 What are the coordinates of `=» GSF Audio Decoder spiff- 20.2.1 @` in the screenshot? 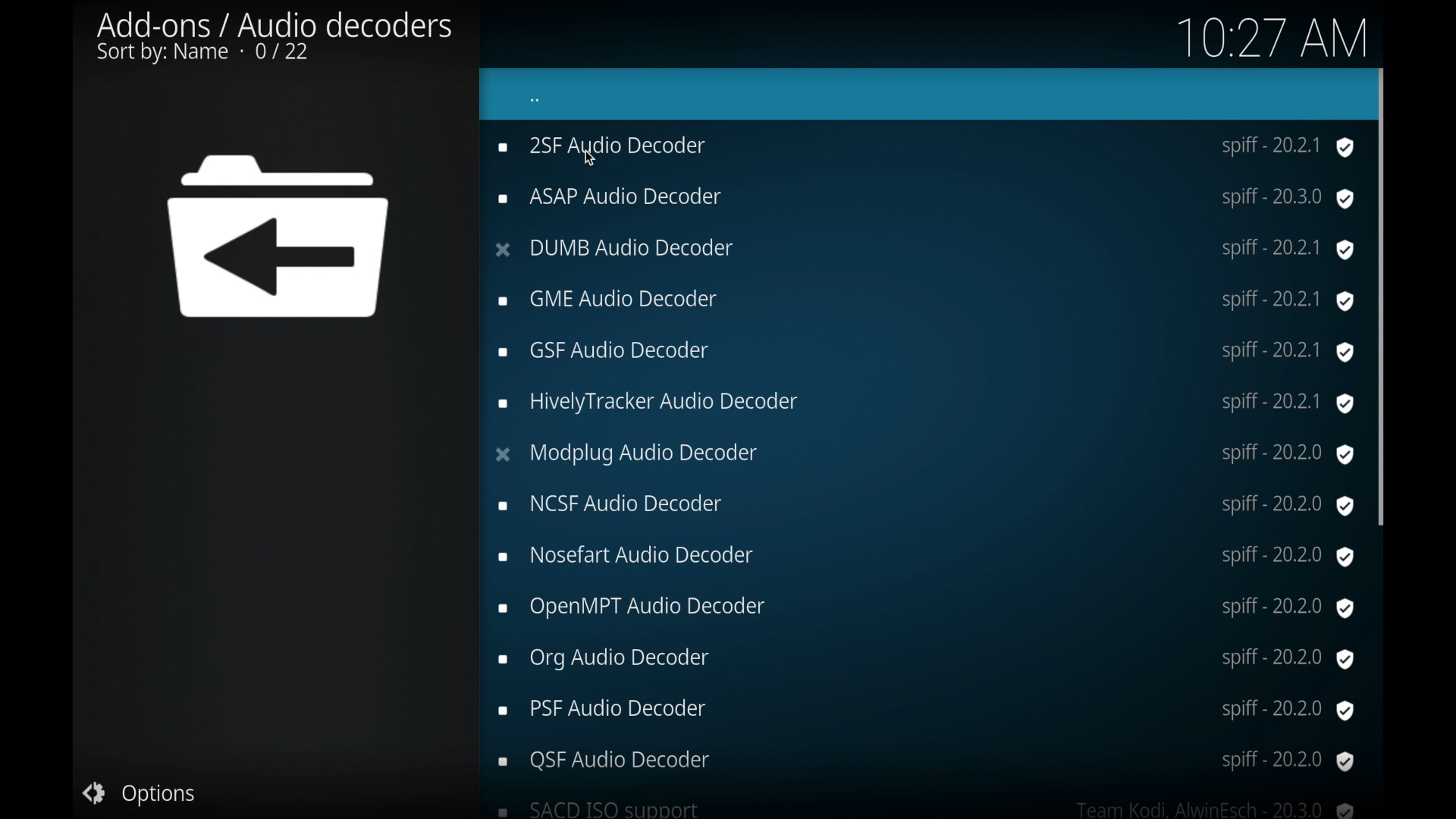 It's located at (926, 298).